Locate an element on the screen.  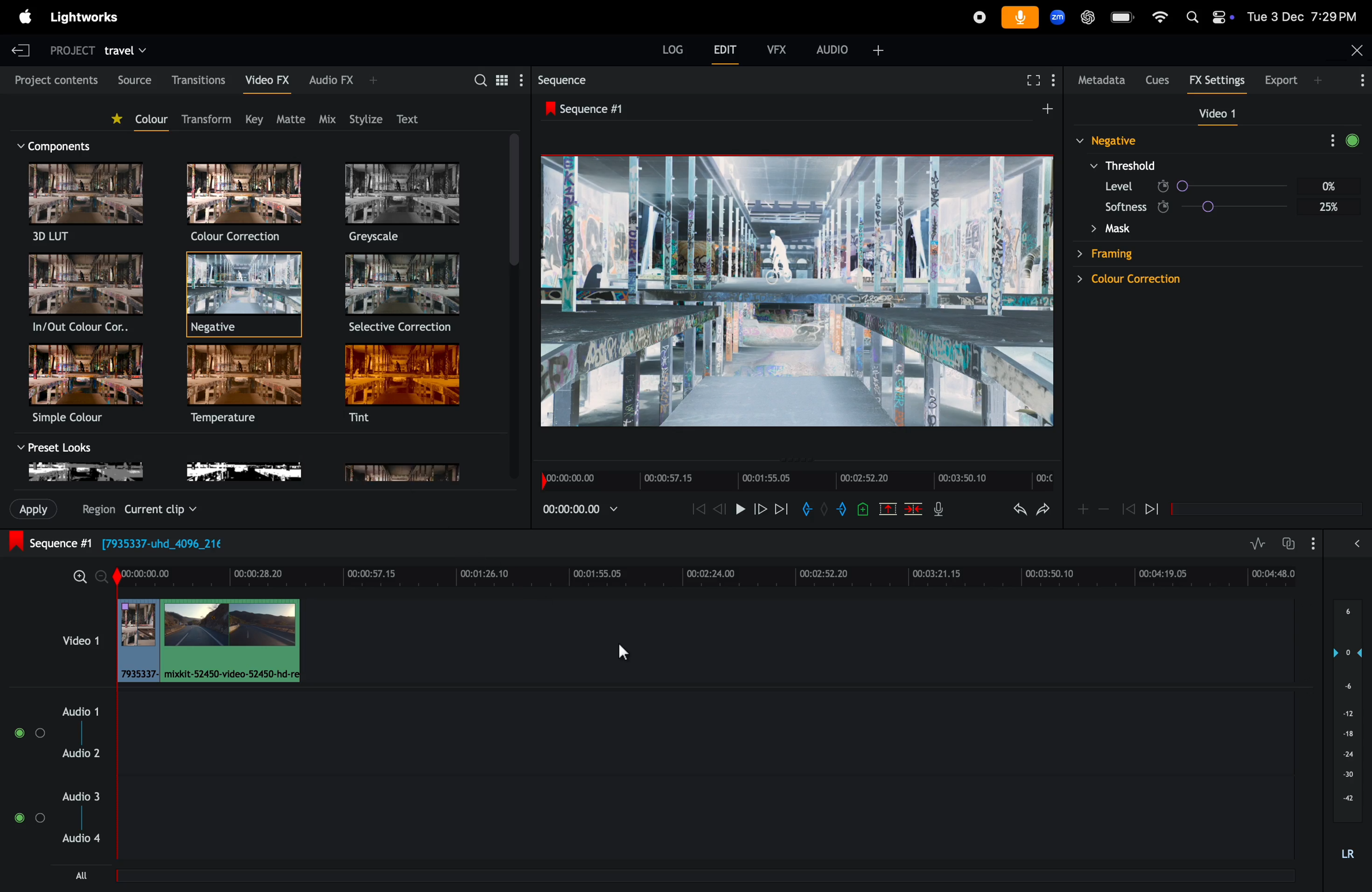
out put frame is located at coordinates (789, 291).